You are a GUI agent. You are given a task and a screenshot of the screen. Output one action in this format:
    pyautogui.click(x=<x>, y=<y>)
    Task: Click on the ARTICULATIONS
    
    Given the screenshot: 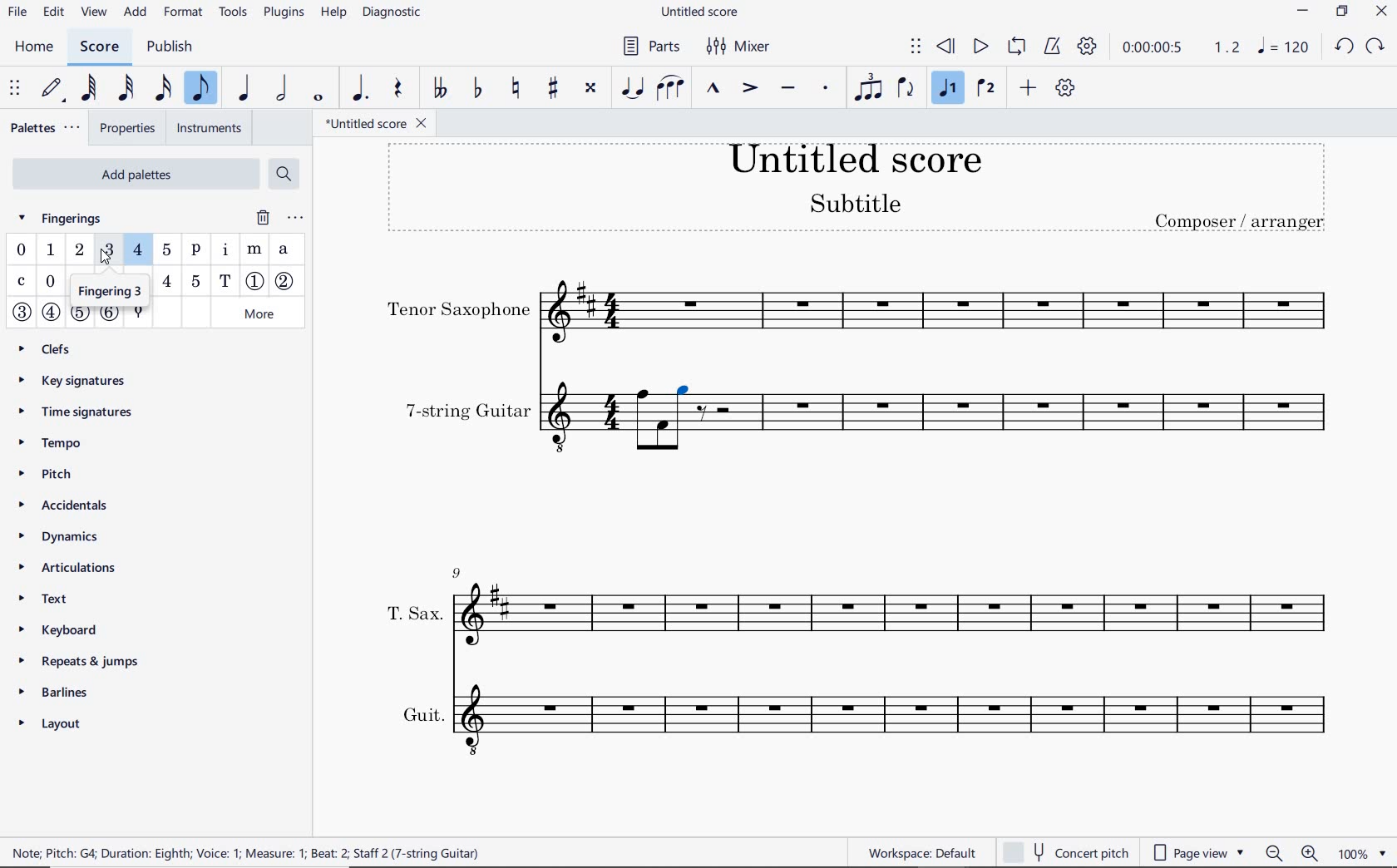 What is the action you would take?
    pyautogui.click(x=66, y=570)
    